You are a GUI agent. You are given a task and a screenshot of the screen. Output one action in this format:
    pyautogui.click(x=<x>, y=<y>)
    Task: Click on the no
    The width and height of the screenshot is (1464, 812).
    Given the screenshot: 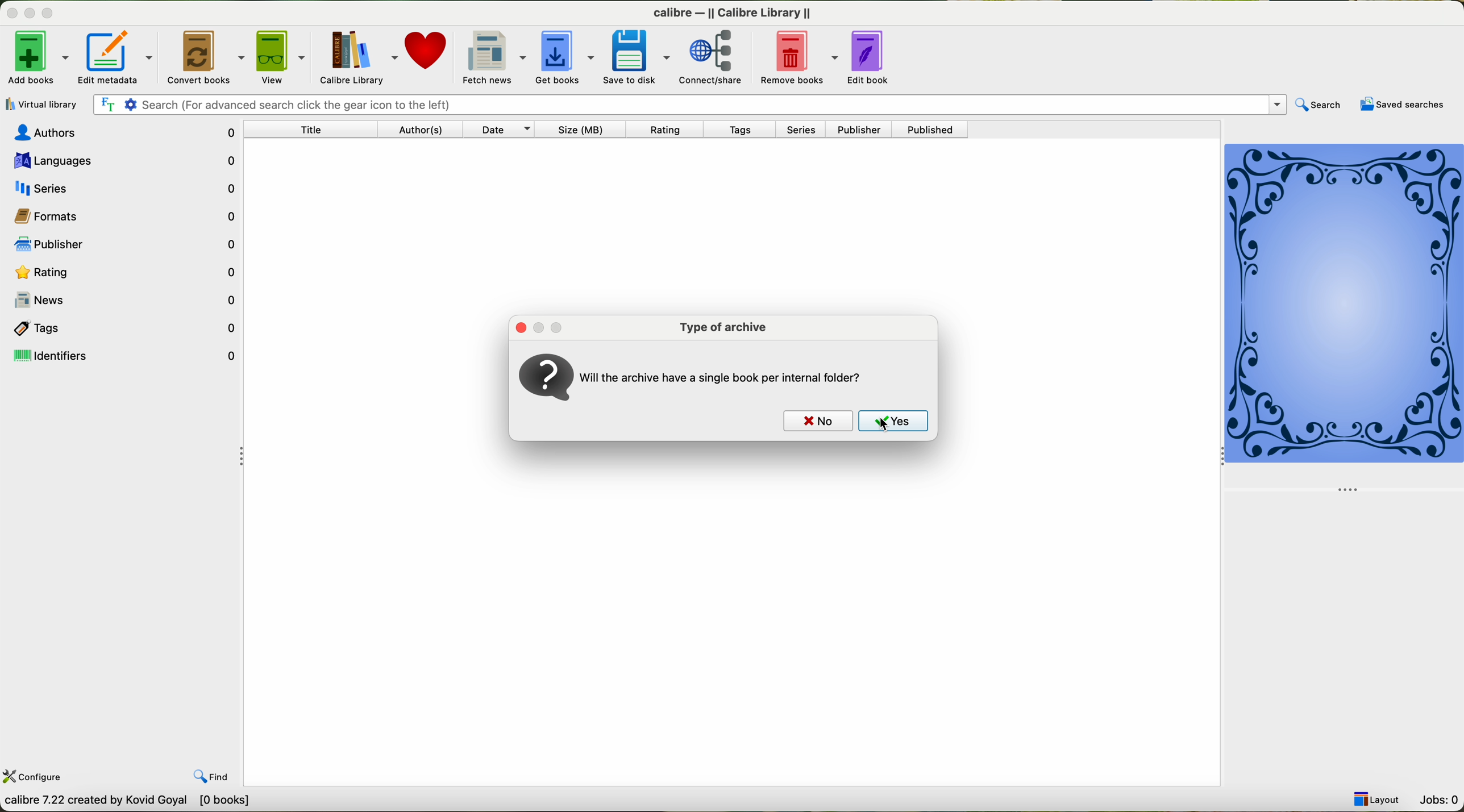 What is the action you would take?
    pyautogui.click(x=814, y=420)
    